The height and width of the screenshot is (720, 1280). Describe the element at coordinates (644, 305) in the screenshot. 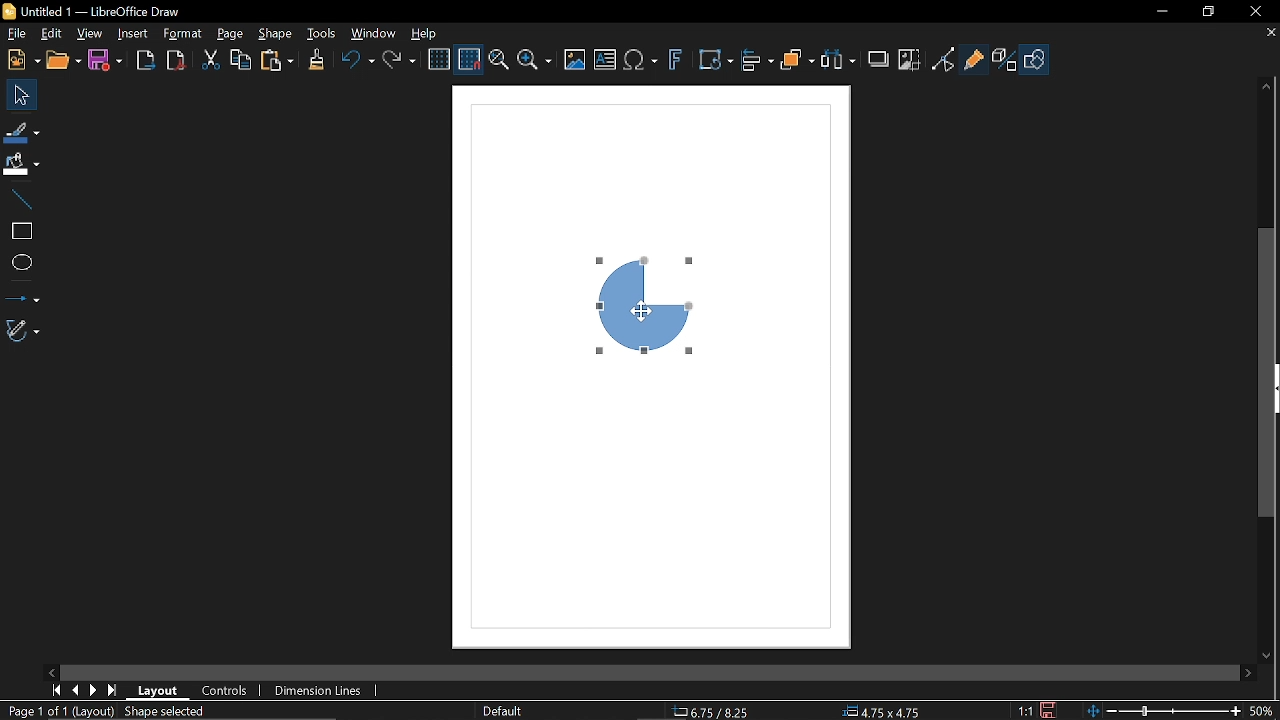

I see `cursor` at that location.